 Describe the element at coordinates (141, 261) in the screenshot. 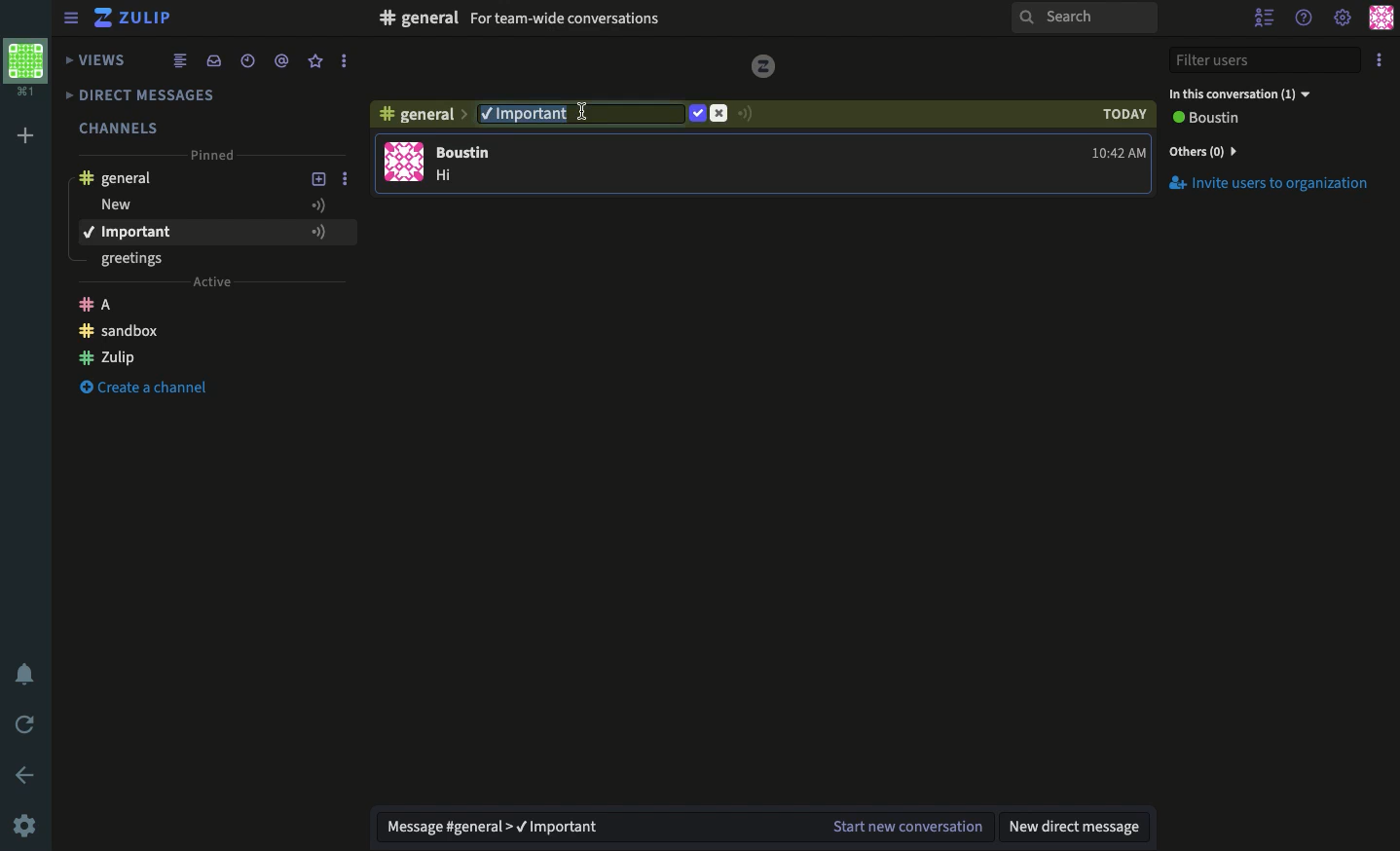

I see `greetings - topic` at that location.